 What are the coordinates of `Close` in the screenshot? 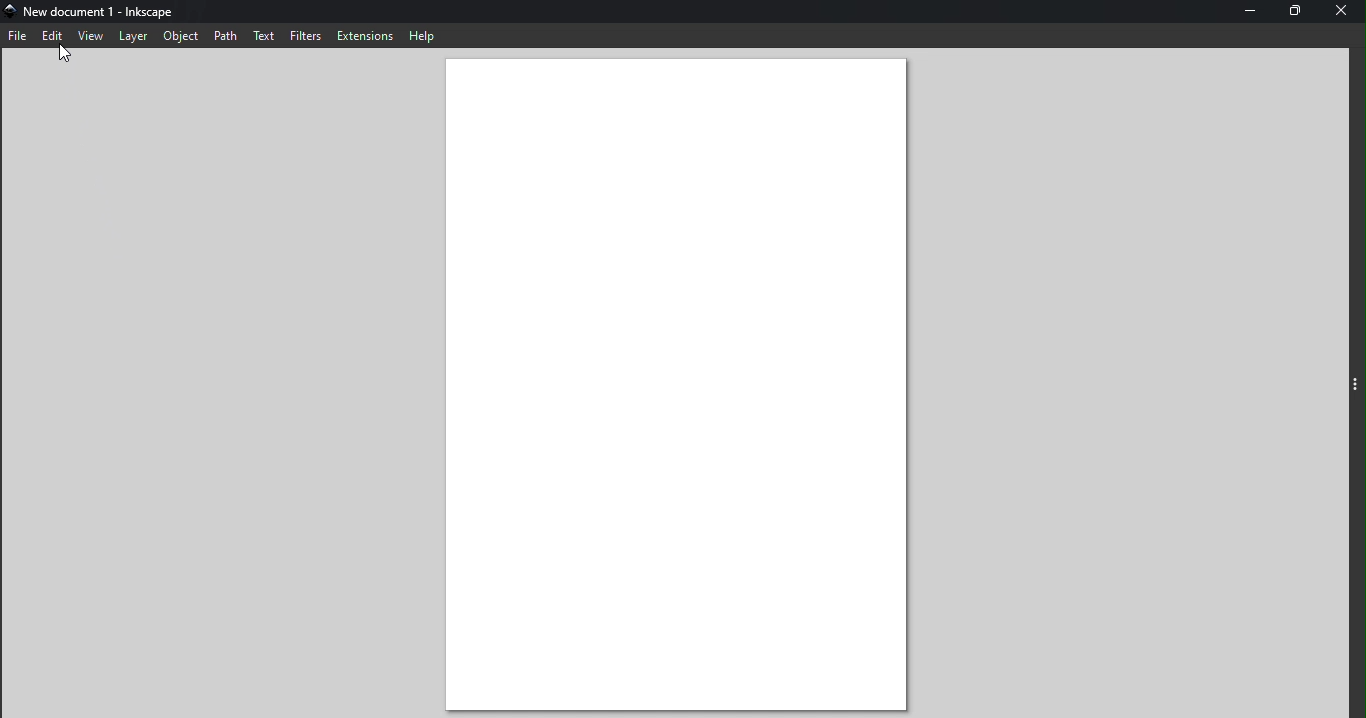 It's located at (1346, 12).